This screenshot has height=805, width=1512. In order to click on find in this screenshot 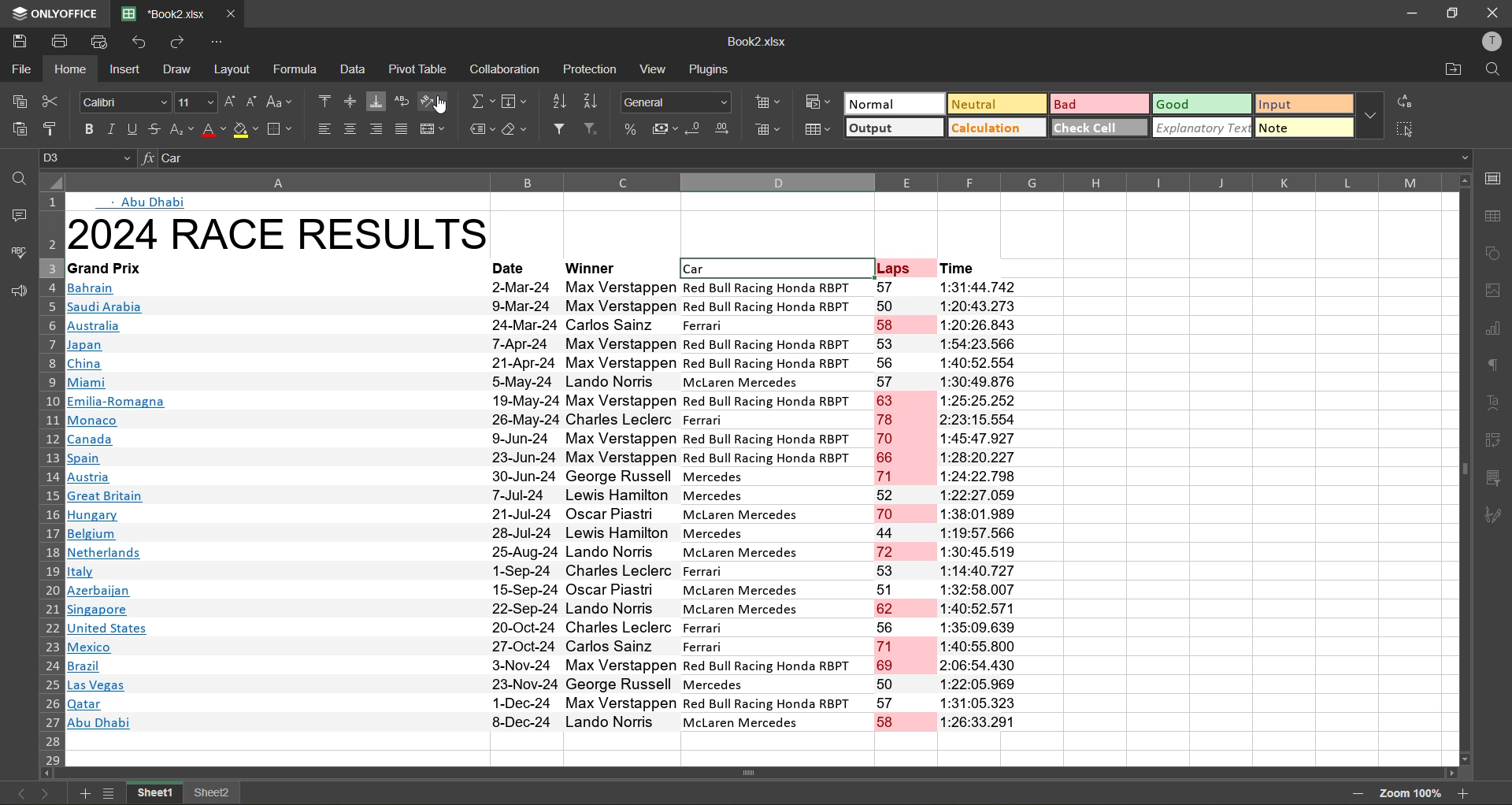, I will do `click(1495, 72)`.